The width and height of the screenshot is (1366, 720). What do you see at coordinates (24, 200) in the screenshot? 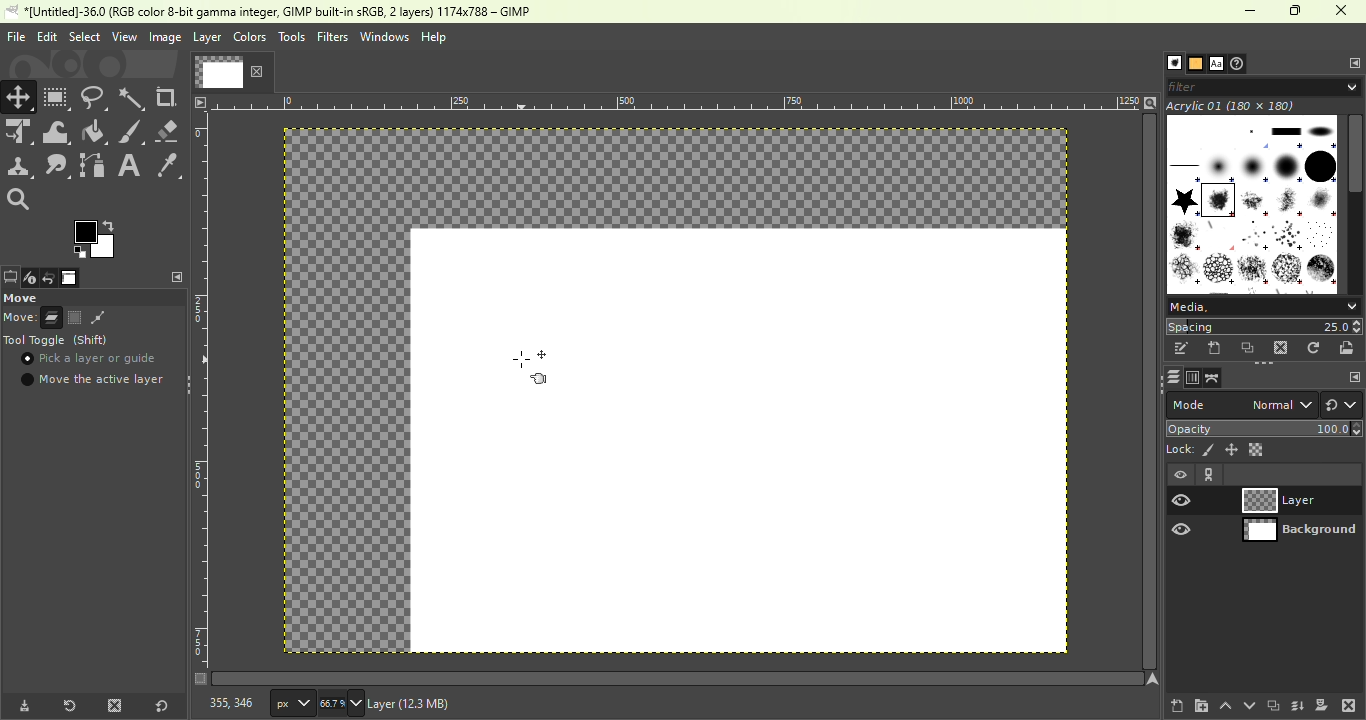
I see `Zoom tool` at bounding box center [24, 200].